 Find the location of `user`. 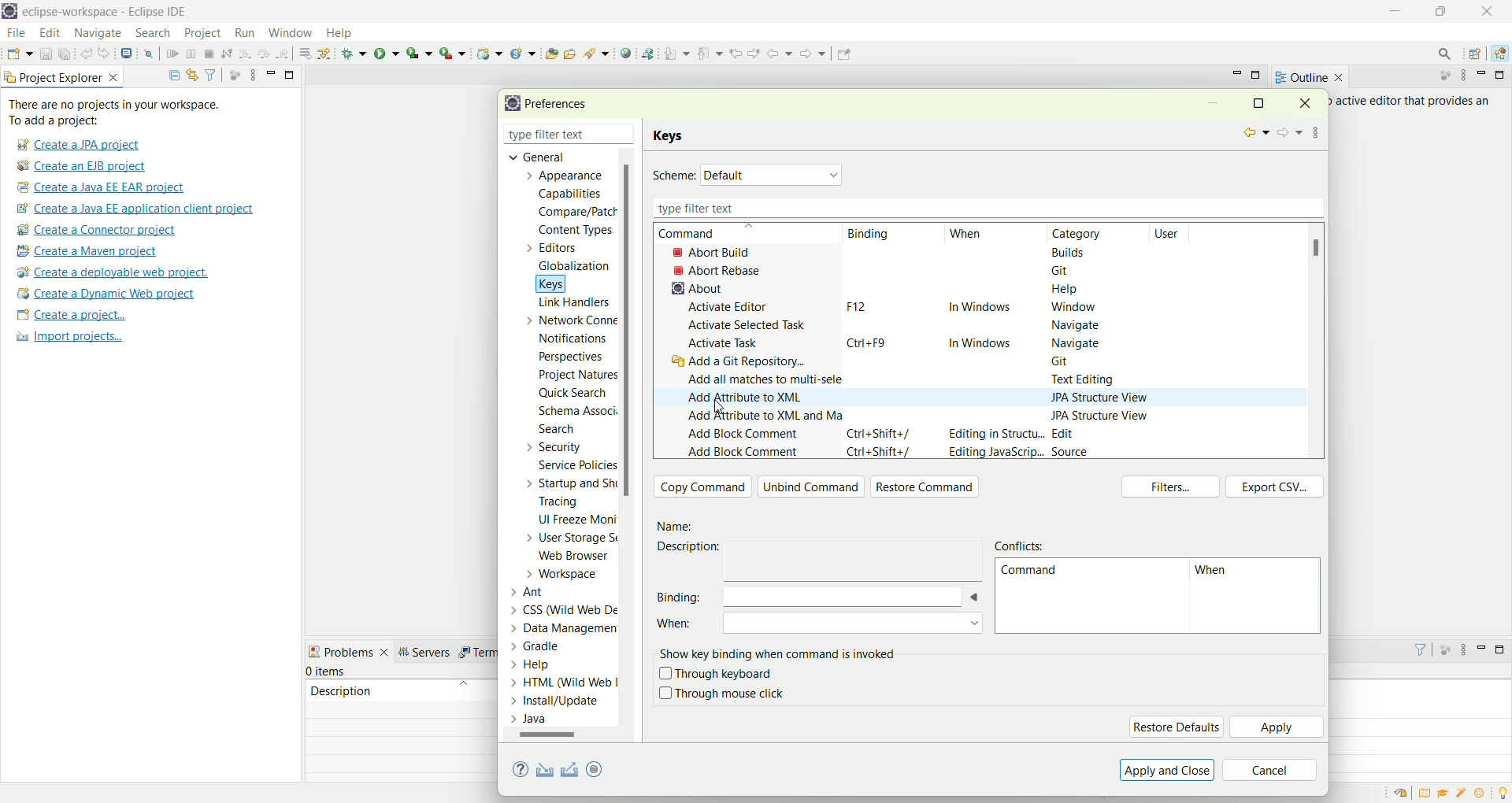

user is located at coordinates (1176, 233).